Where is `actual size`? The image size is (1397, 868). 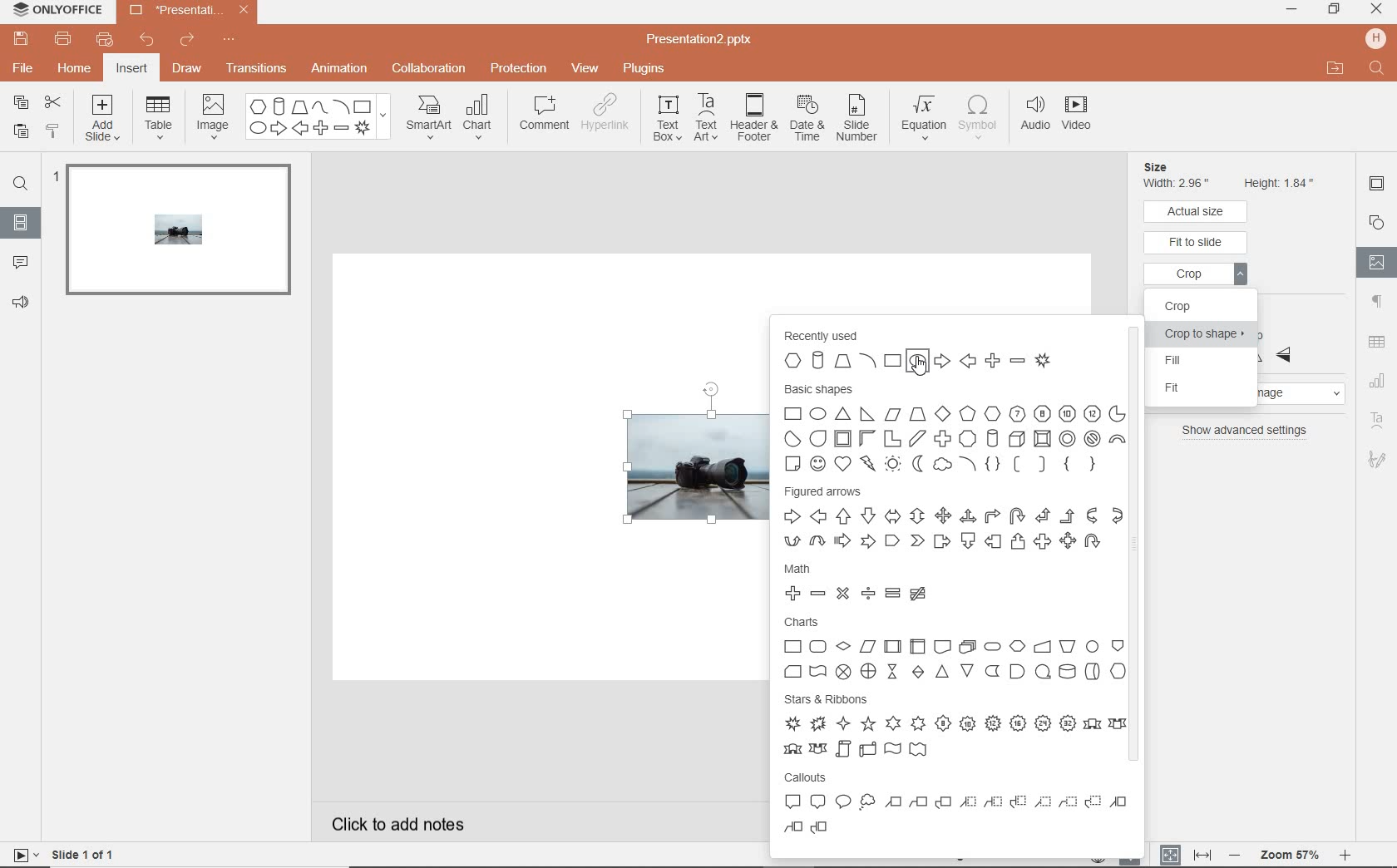 actual size is located at coordinates (1197, 211).